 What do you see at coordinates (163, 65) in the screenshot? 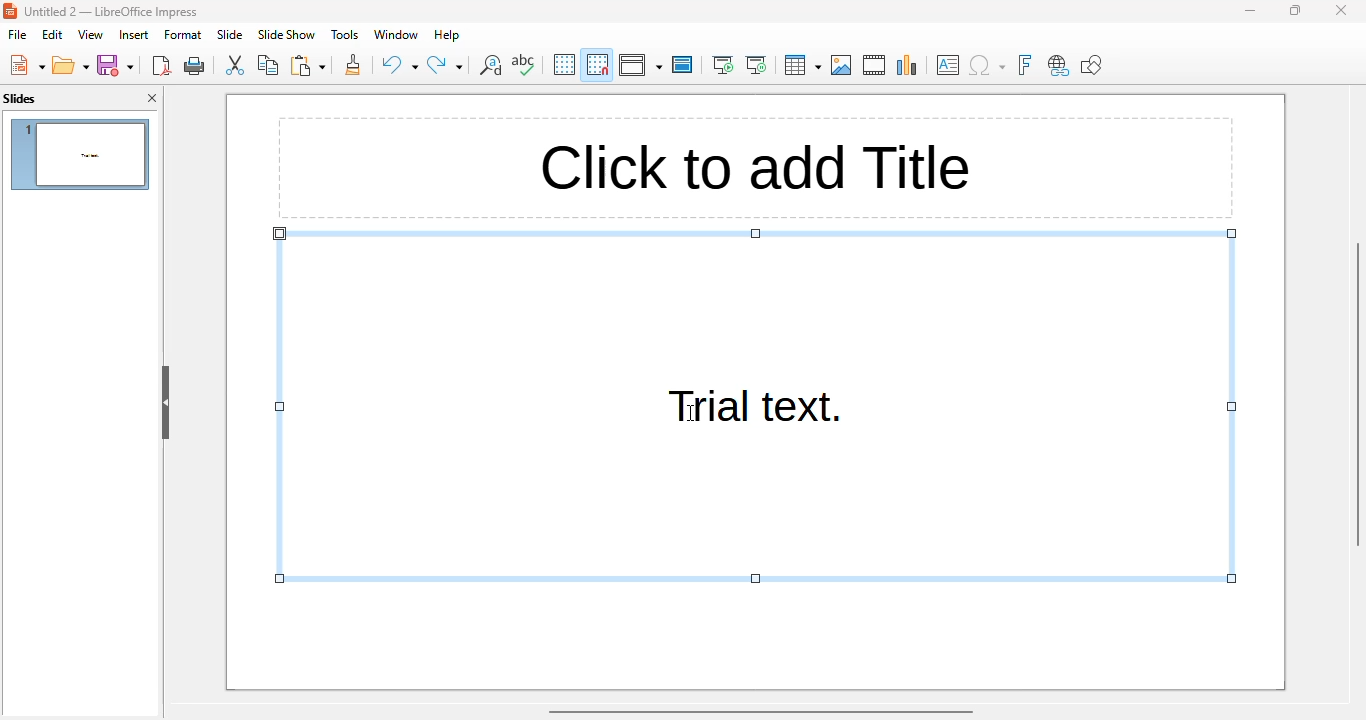
I see `export directly as PDF` at bounding box center [163, 65].